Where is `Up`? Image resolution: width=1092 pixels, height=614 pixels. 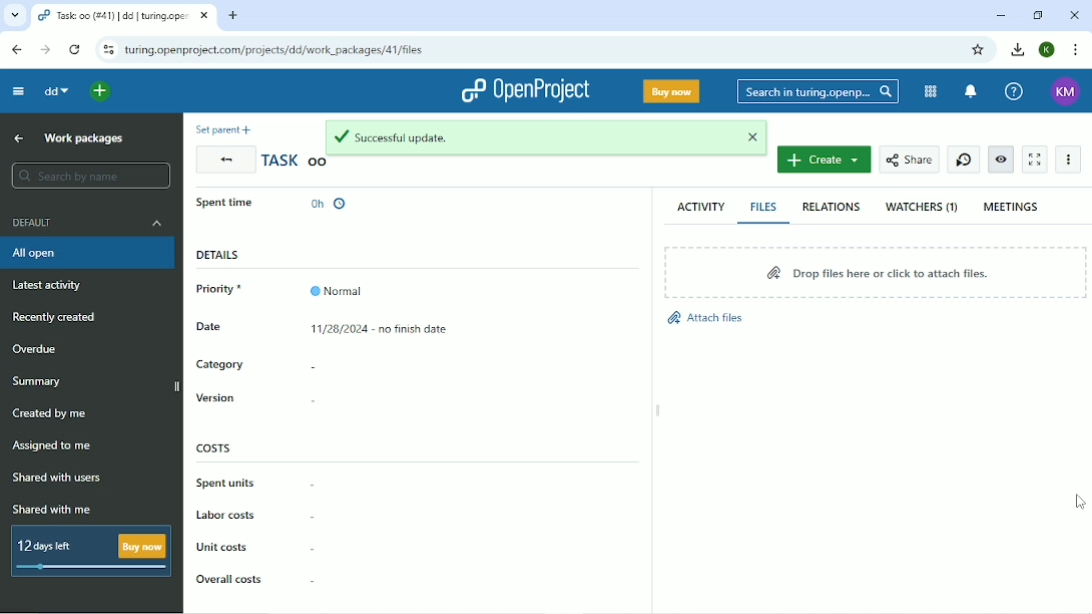
Up is located at coordinates (19, 139).